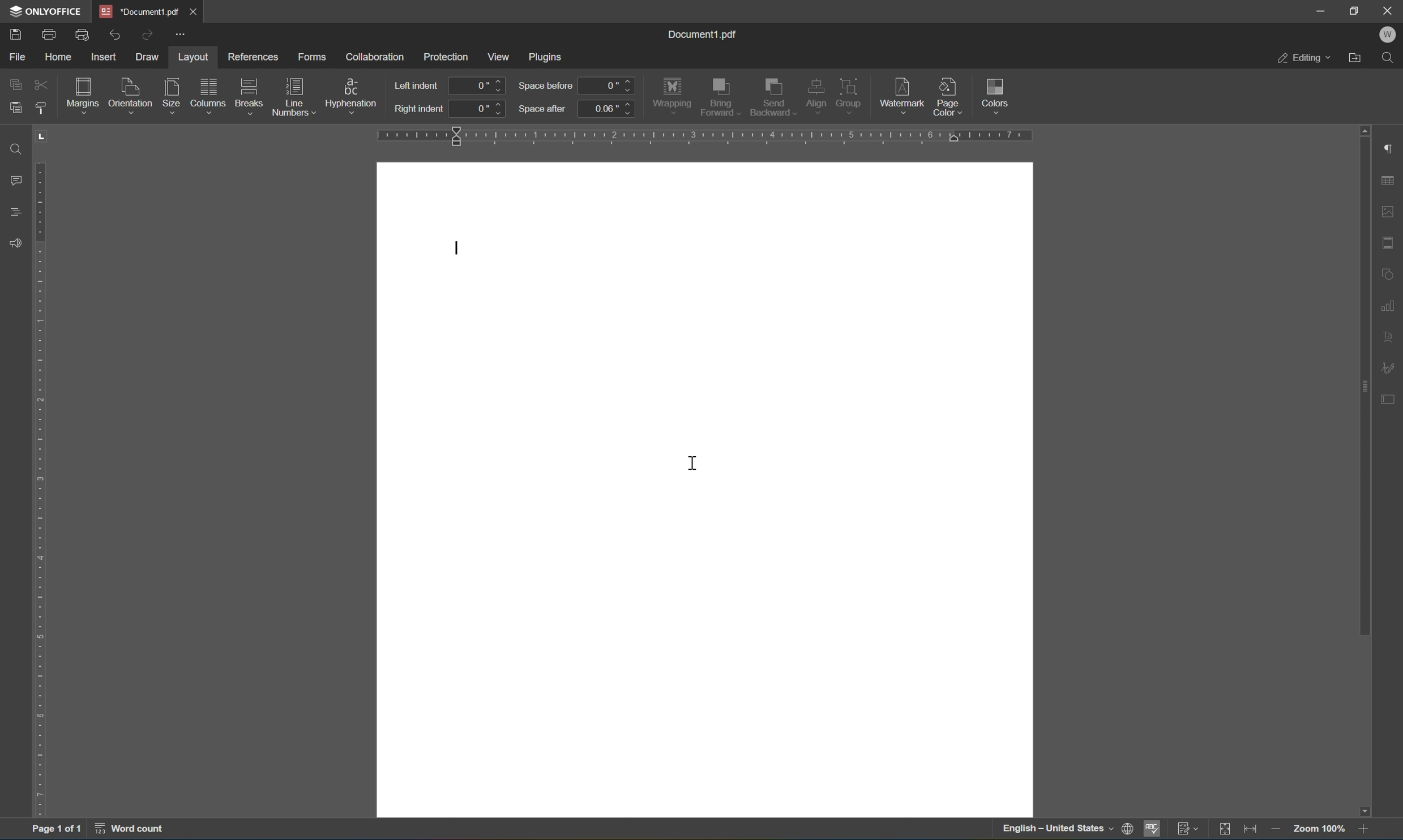 Image resolution: width=1403 pixels, height=840 pixels. I want to click on undo, so click(118, 32).